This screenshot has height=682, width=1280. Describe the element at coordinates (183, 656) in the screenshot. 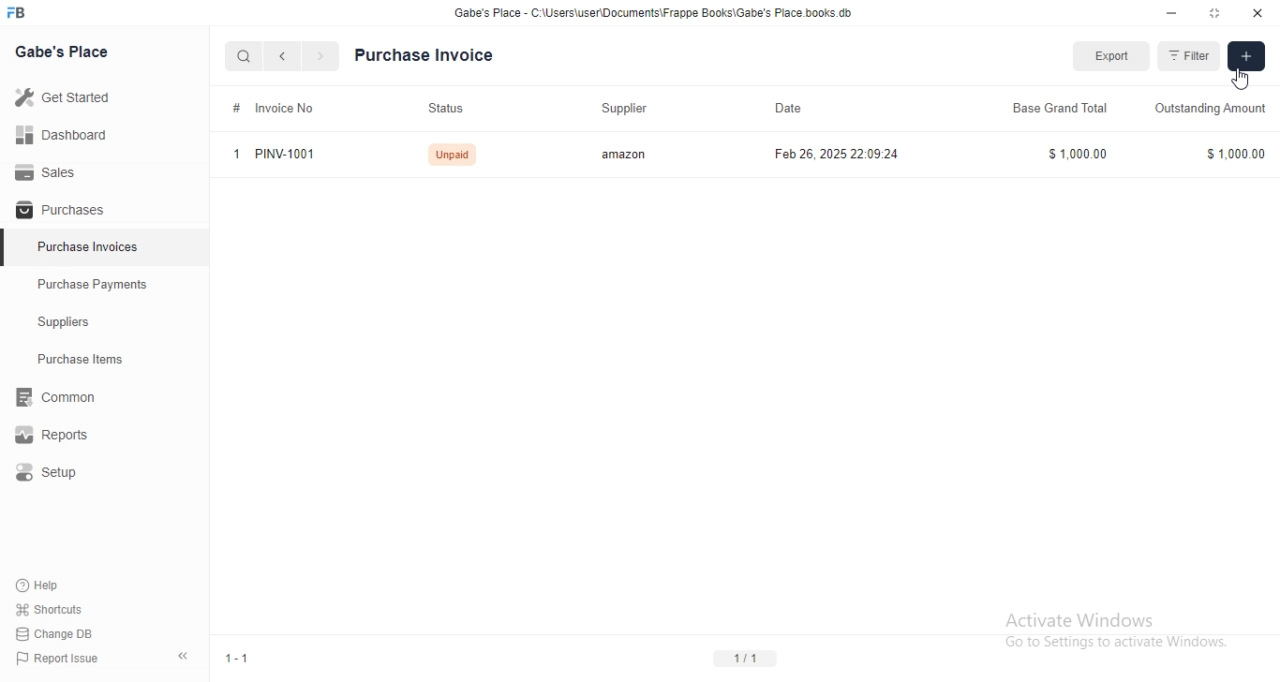

I see `Collapse` at that location.